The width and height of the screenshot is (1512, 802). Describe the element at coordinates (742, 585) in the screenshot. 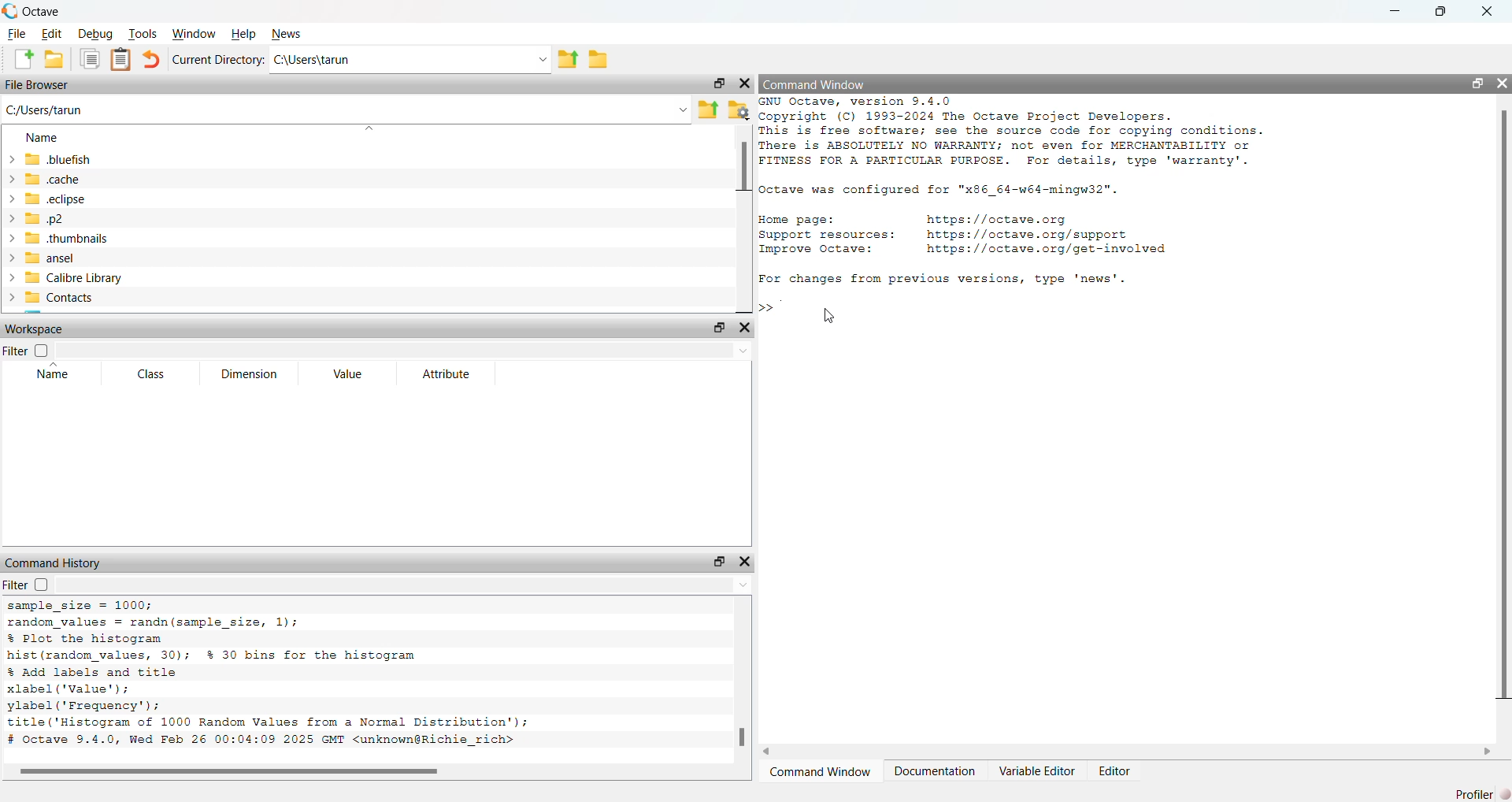

I see `dropdown` at that location.